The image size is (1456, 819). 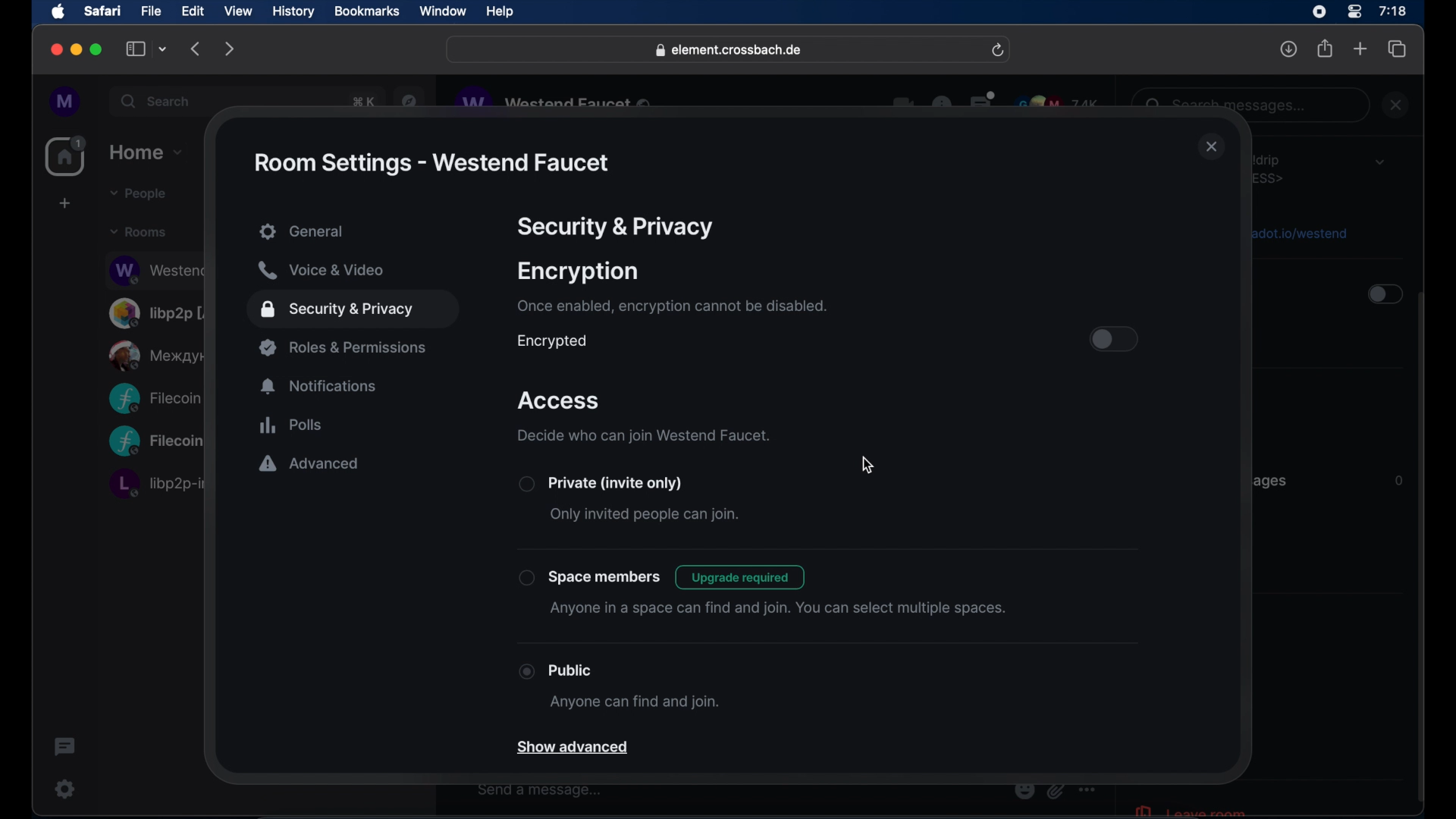 What do you see at coordinates (556, 101) in the screenshot?
I see `obscure` at bounding box center [556, 101].